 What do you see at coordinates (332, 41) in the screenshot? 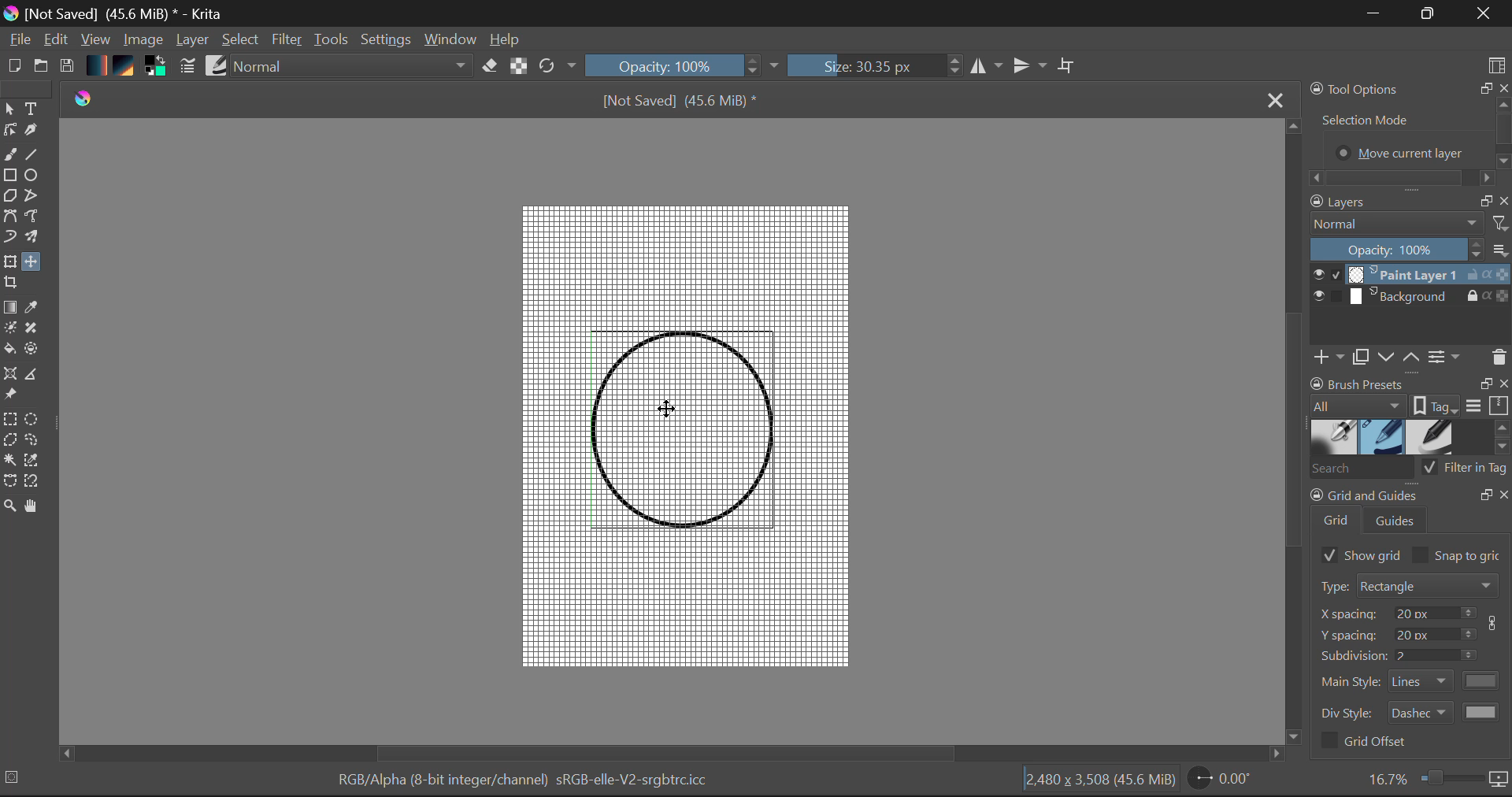
I see `Tools` at bounding box center [332, 41].